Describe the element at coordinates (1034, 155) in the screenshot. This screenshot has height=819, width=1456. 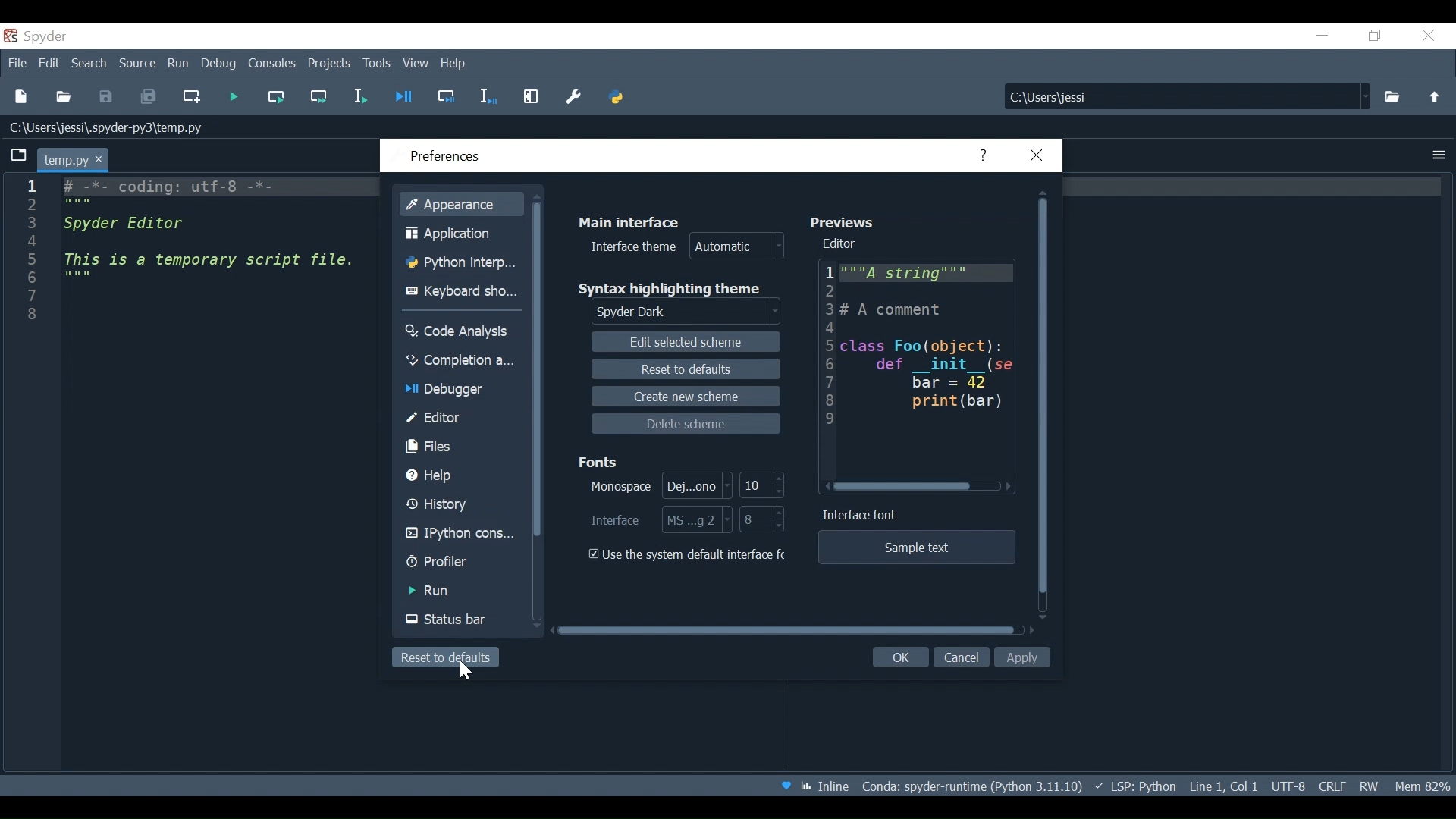
I see `Close` at that location.